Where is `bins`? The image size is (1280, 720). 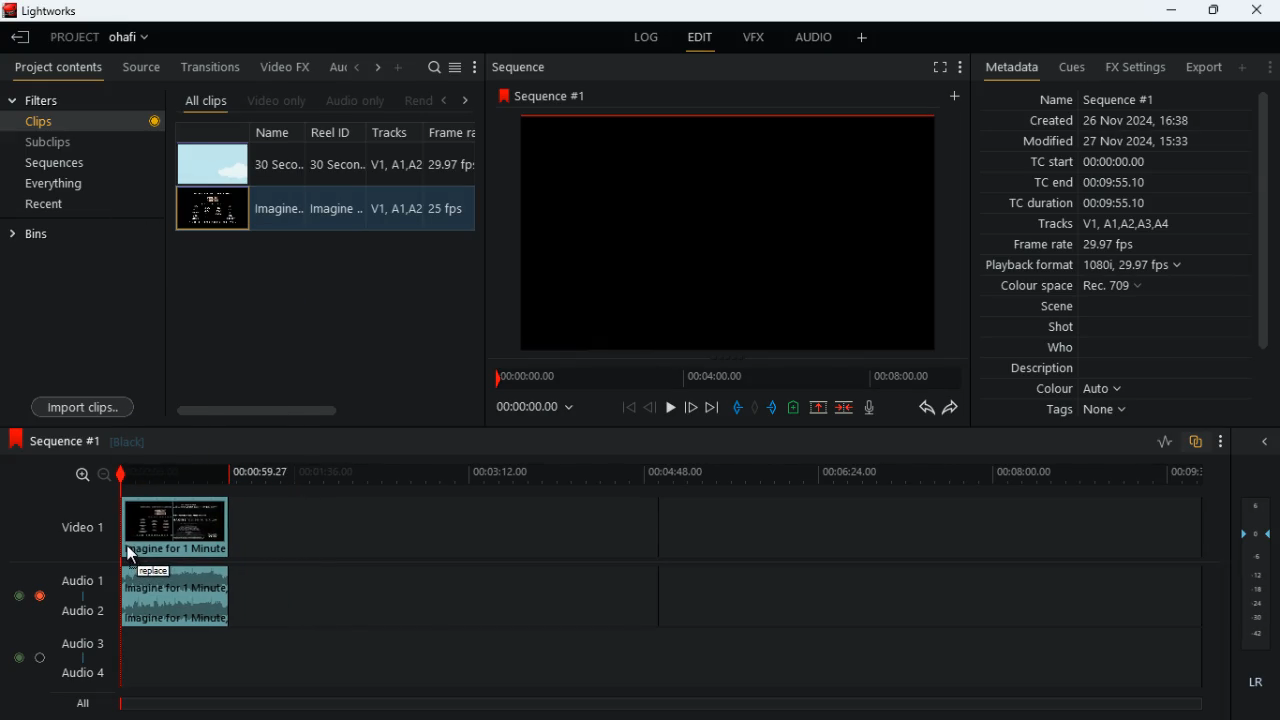
bins is located at coordinates (39, 238).